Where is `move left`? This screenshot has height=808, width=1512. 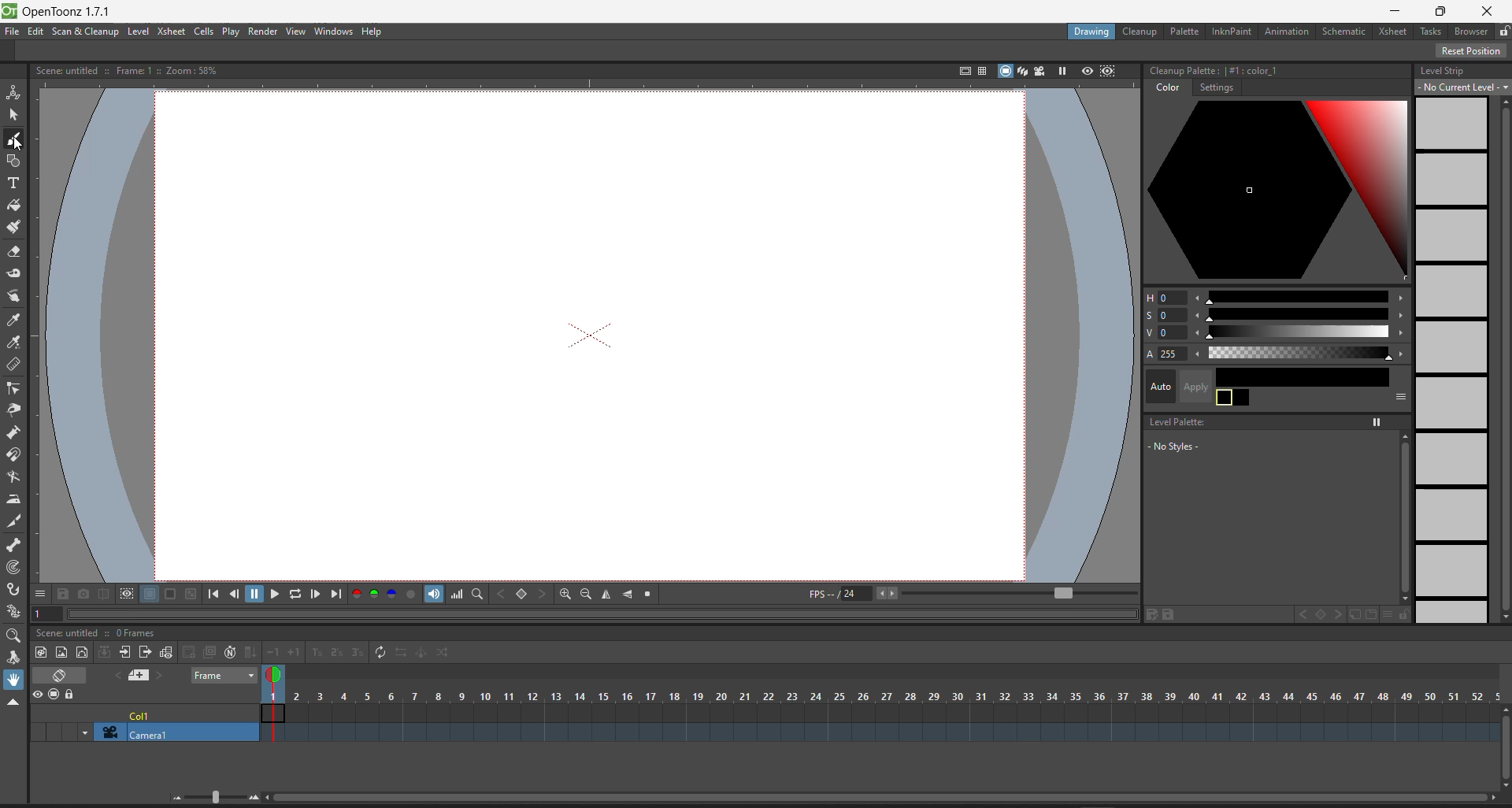 move left is located at coordinates (1199, 354).